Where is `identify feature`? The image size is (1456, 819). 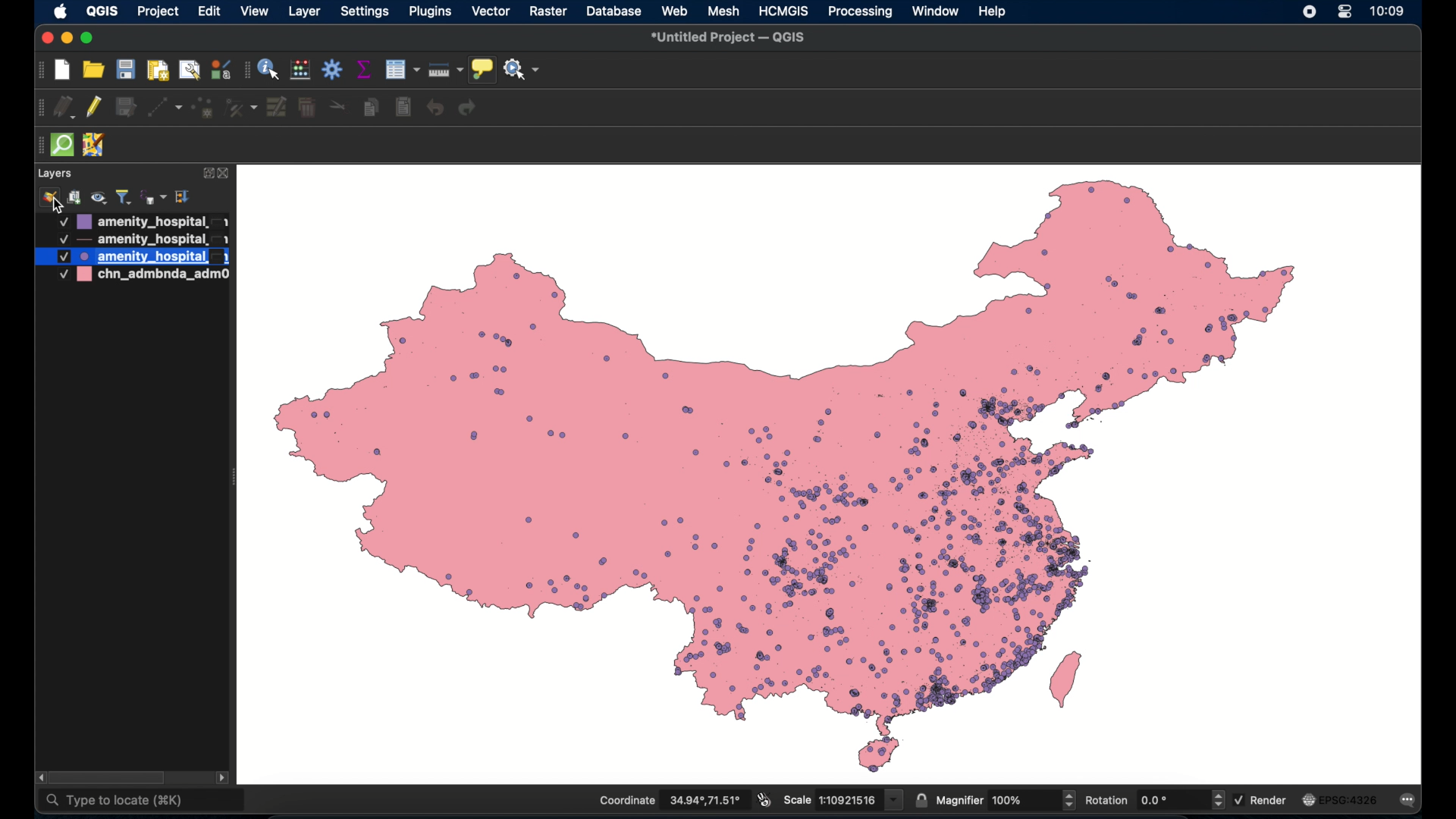
identify feature is located at coordinates (269, 69).